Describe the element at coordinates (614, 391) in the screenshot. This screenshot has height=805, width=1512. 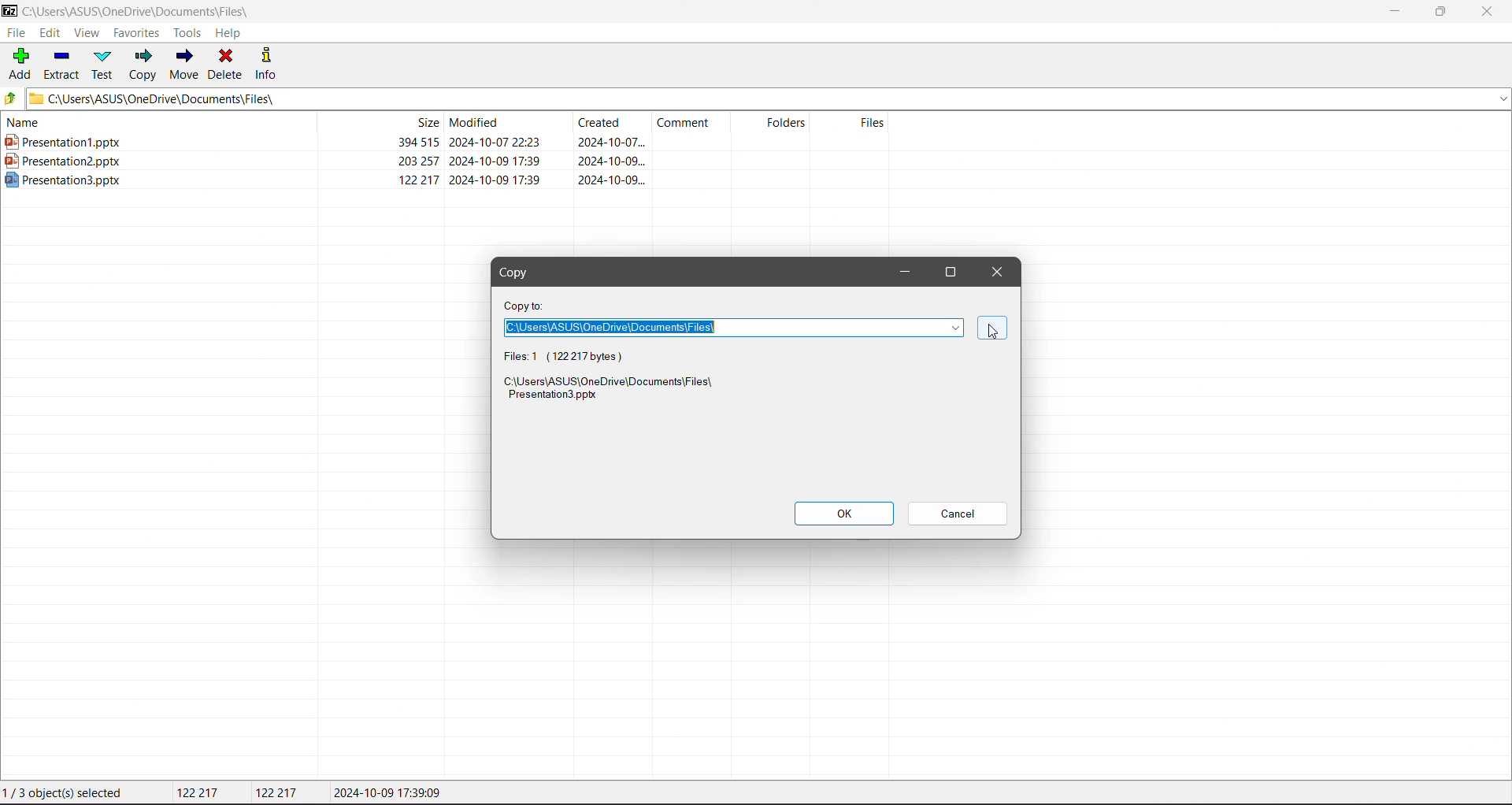
I see `Selected File Source Path` at that location.